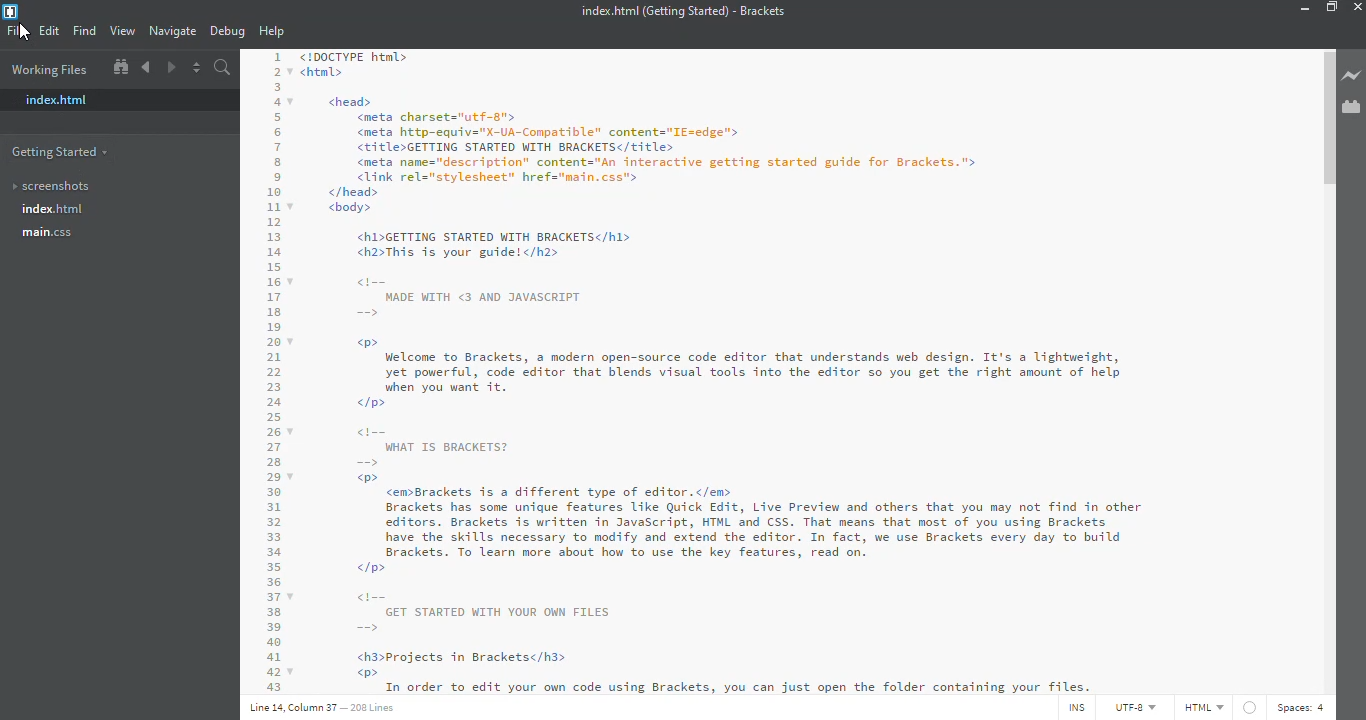 The width and height of the screenshot is (1366, 720). Describe the element at coordinates (29, 33) in the screenshot. I see `cursor` at that location.